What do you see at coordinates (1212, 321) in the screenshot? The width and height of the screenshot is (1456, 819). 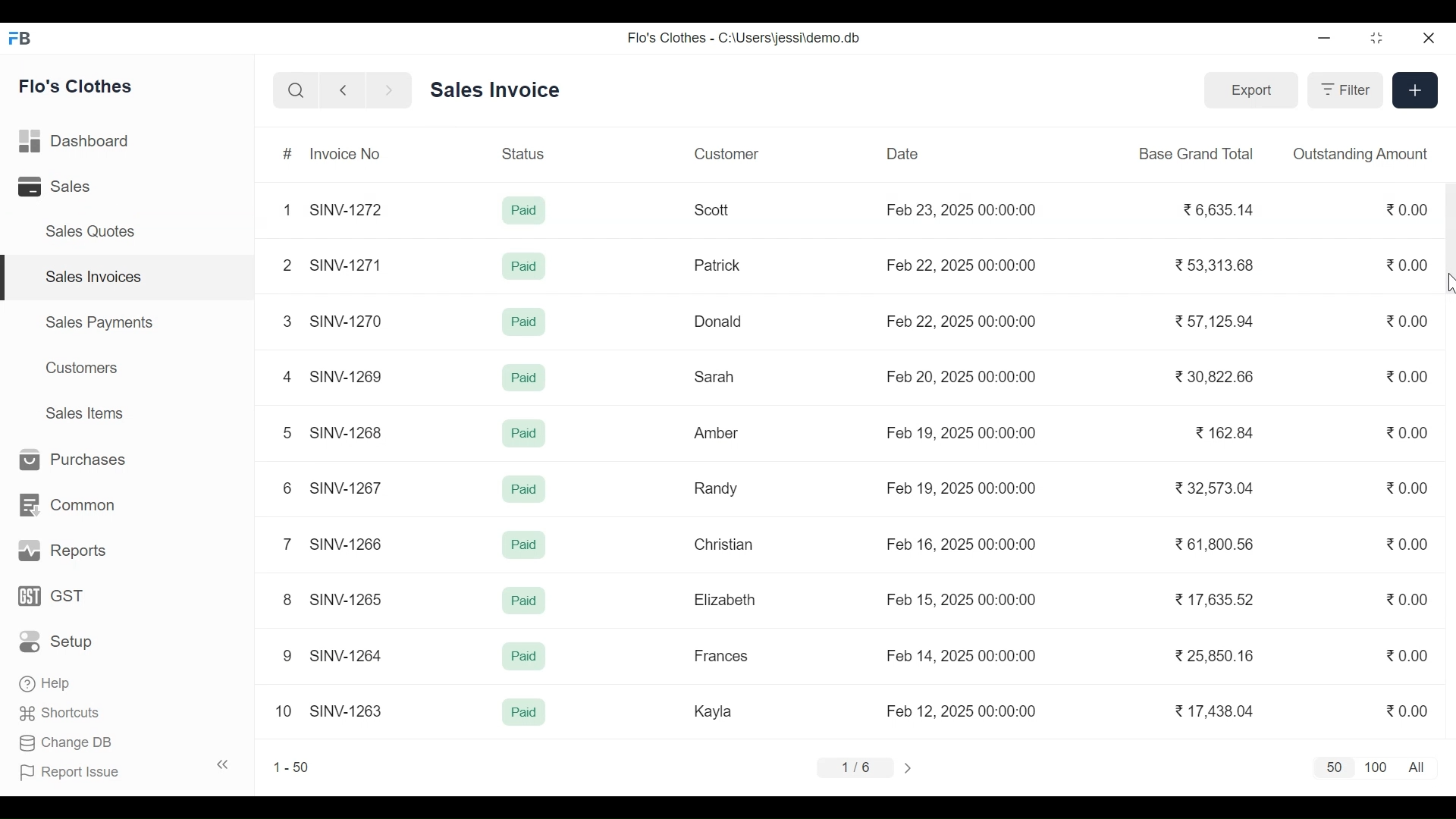 I see `57,125.94` at bounding box center [1212, 321].